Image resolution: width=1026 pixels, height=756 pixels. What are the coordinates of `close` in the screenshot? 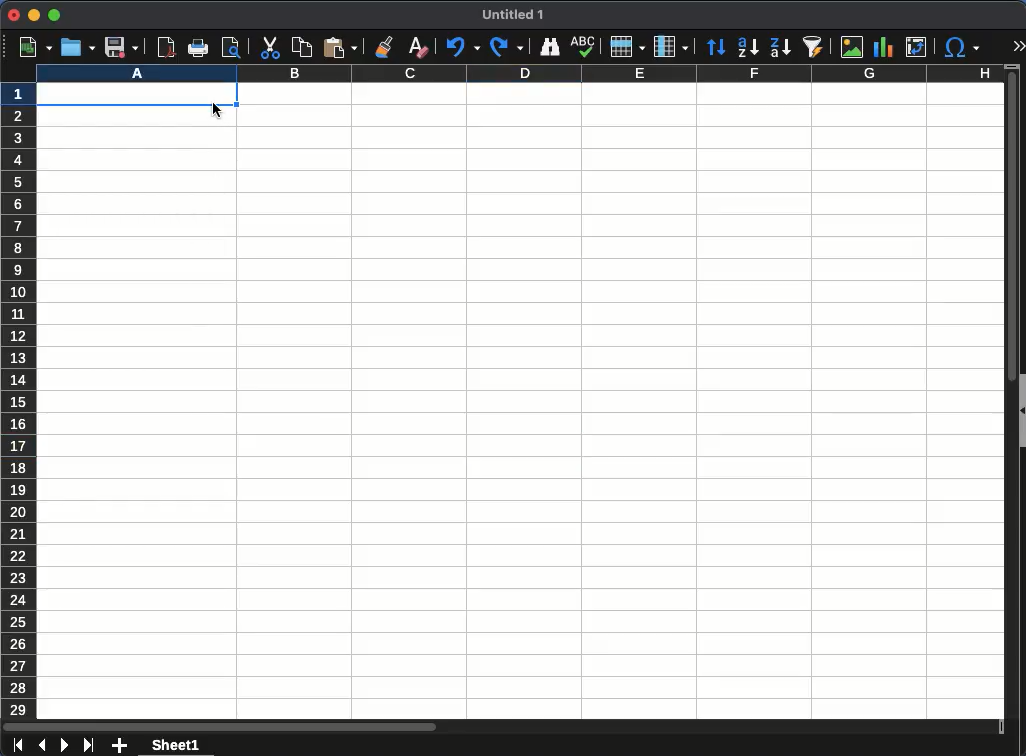 It's located at (14, 16).